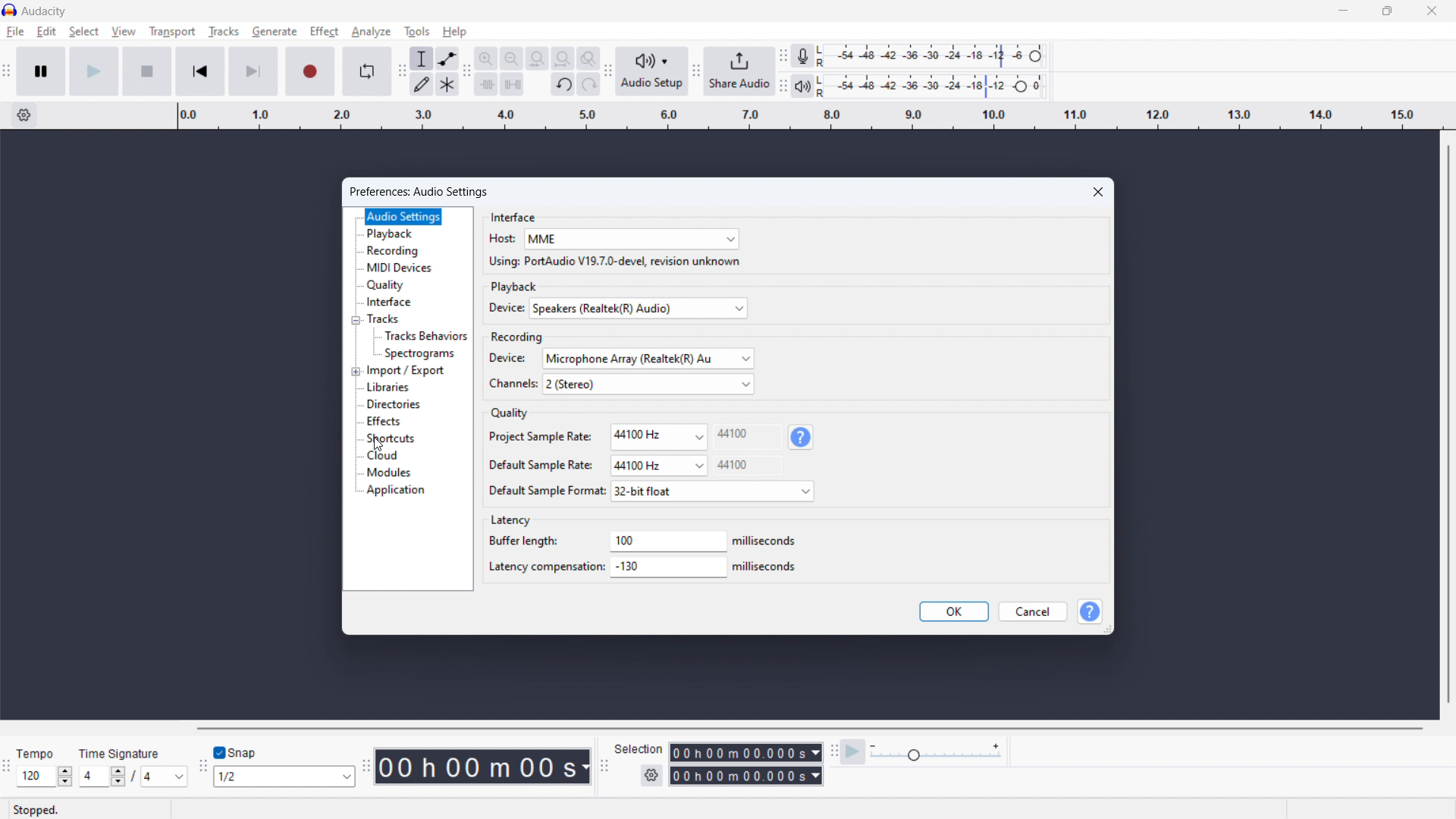 This screenshot has height=819, width=1456. Describe the element at coordinates (118, 777) in the screenshot. I see `Increase/Decrease time signature` at that location.